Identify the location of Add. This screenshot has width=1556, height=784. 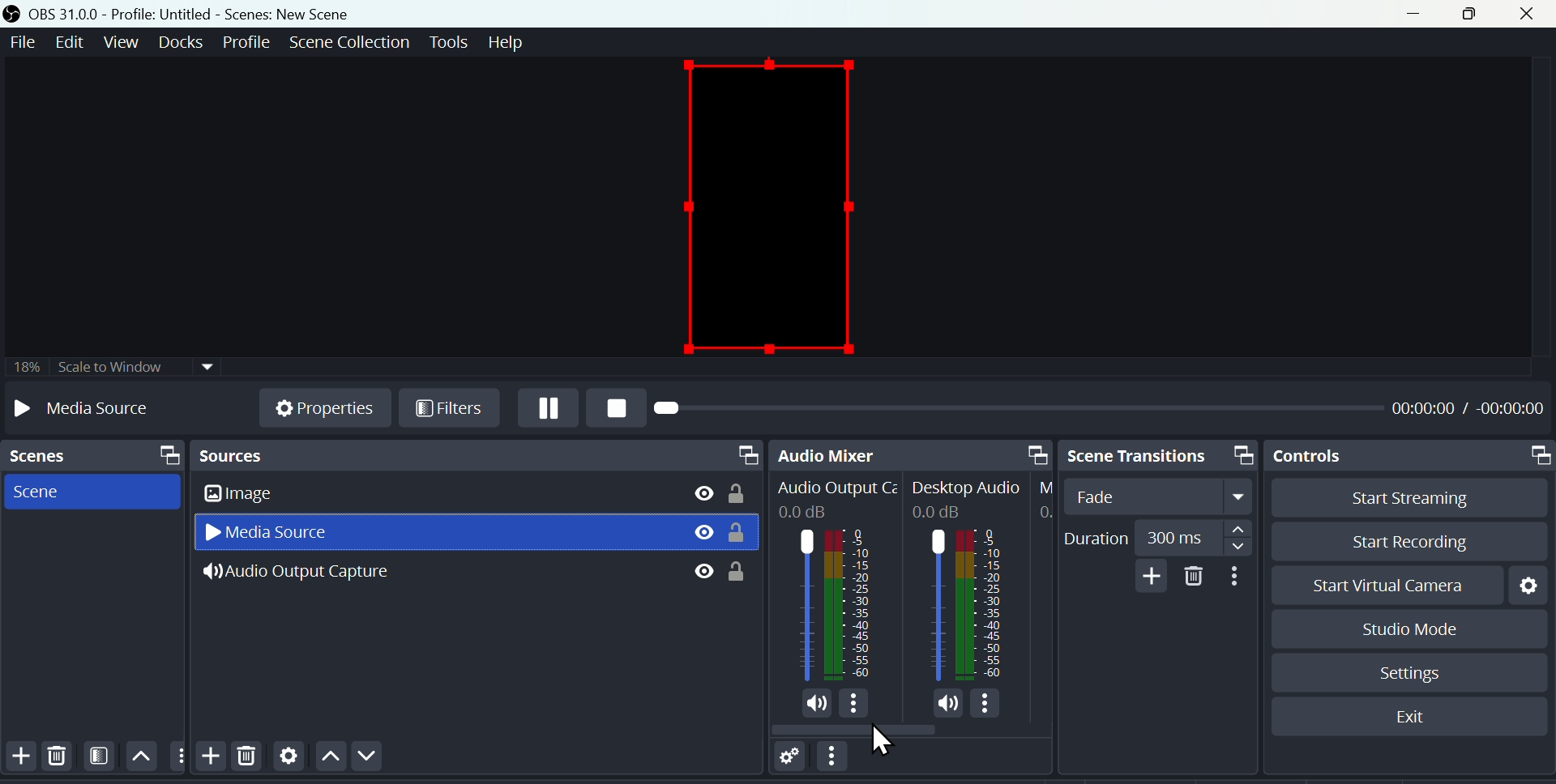
(207, 754).